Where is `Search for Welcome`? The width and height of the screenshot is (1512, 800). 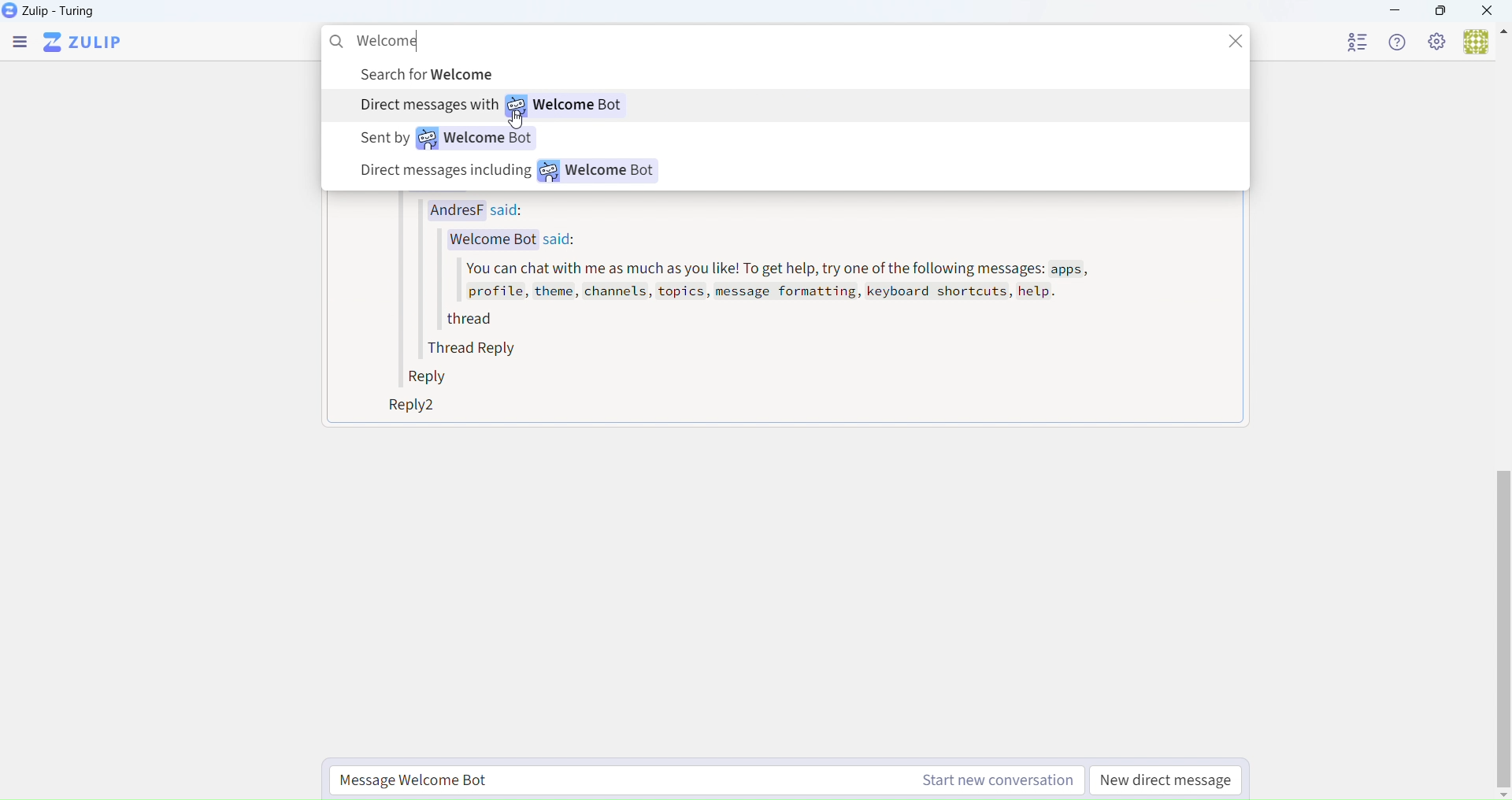 Search for Welcome is located at coordinates (437, 76).